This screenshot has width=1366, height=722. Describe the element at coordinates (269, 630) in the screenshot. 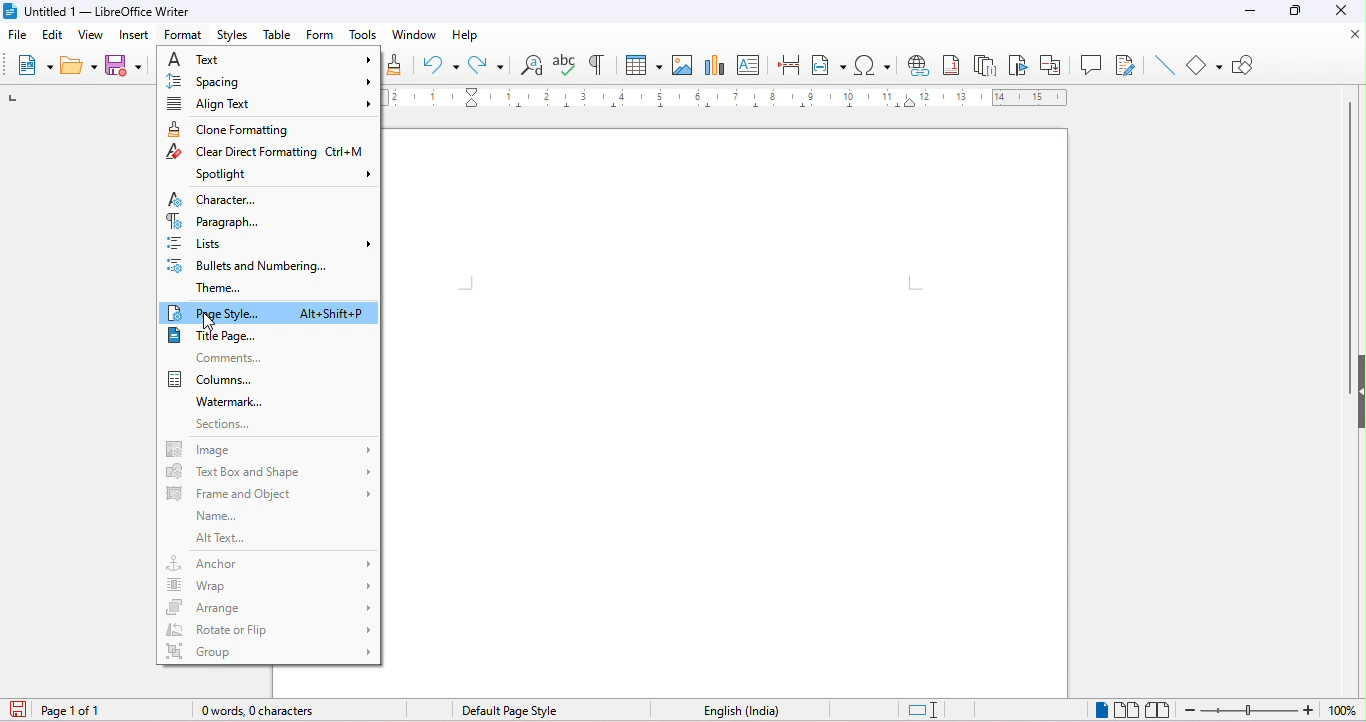

I see `rotate or flip` at that location.